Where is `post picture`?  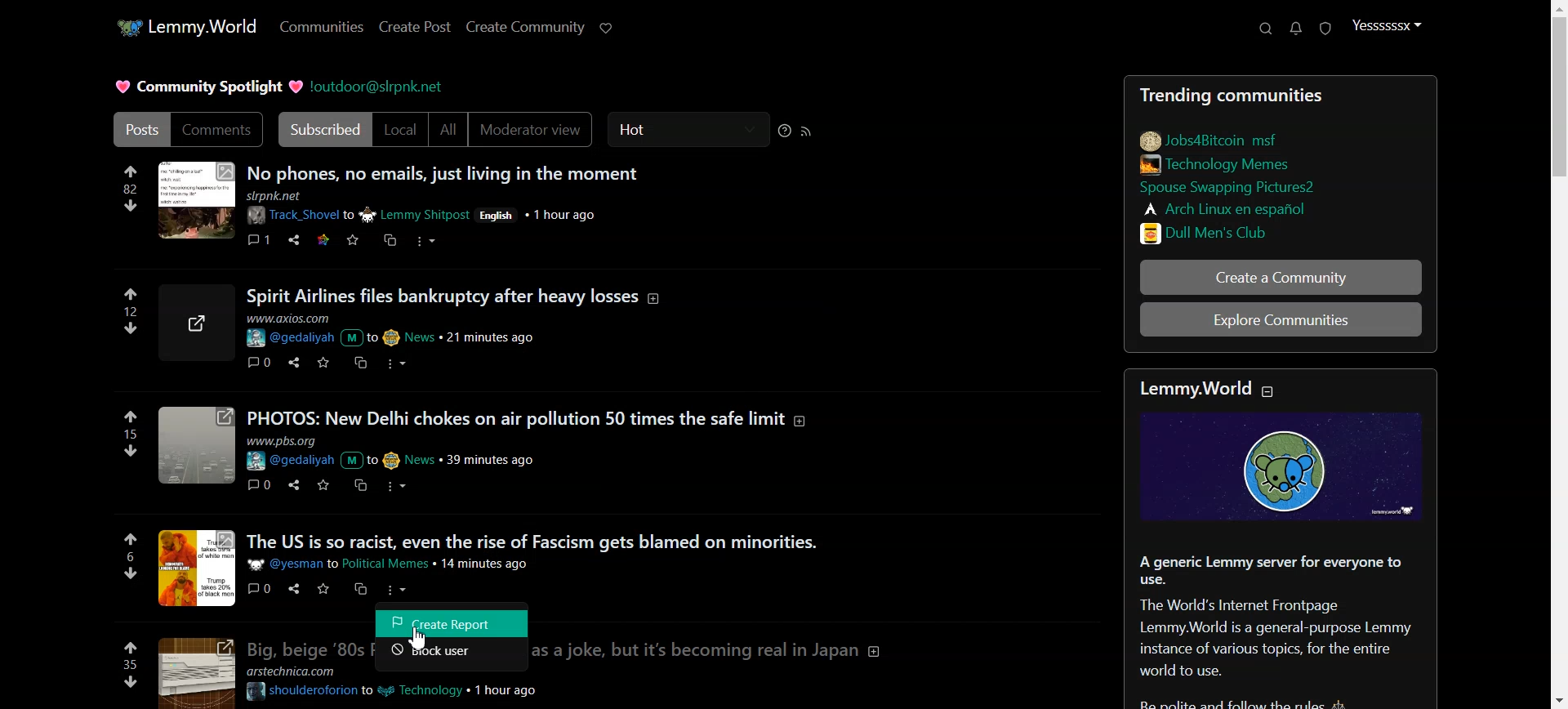 post picture is located at coordinates (198, 568).